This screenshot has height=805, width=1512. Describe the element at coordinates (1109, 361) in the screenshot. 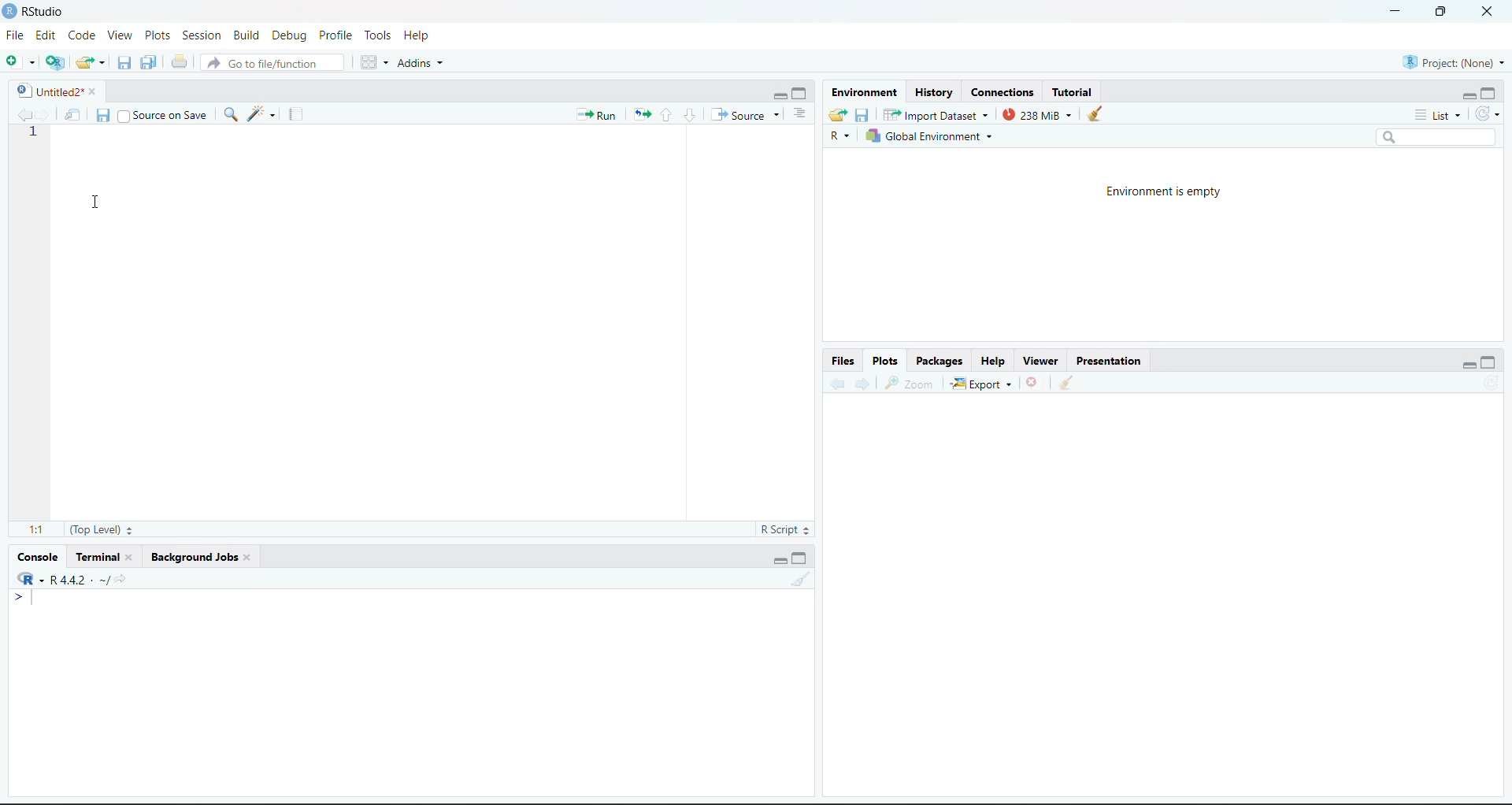

I see `Presentation` at that location.